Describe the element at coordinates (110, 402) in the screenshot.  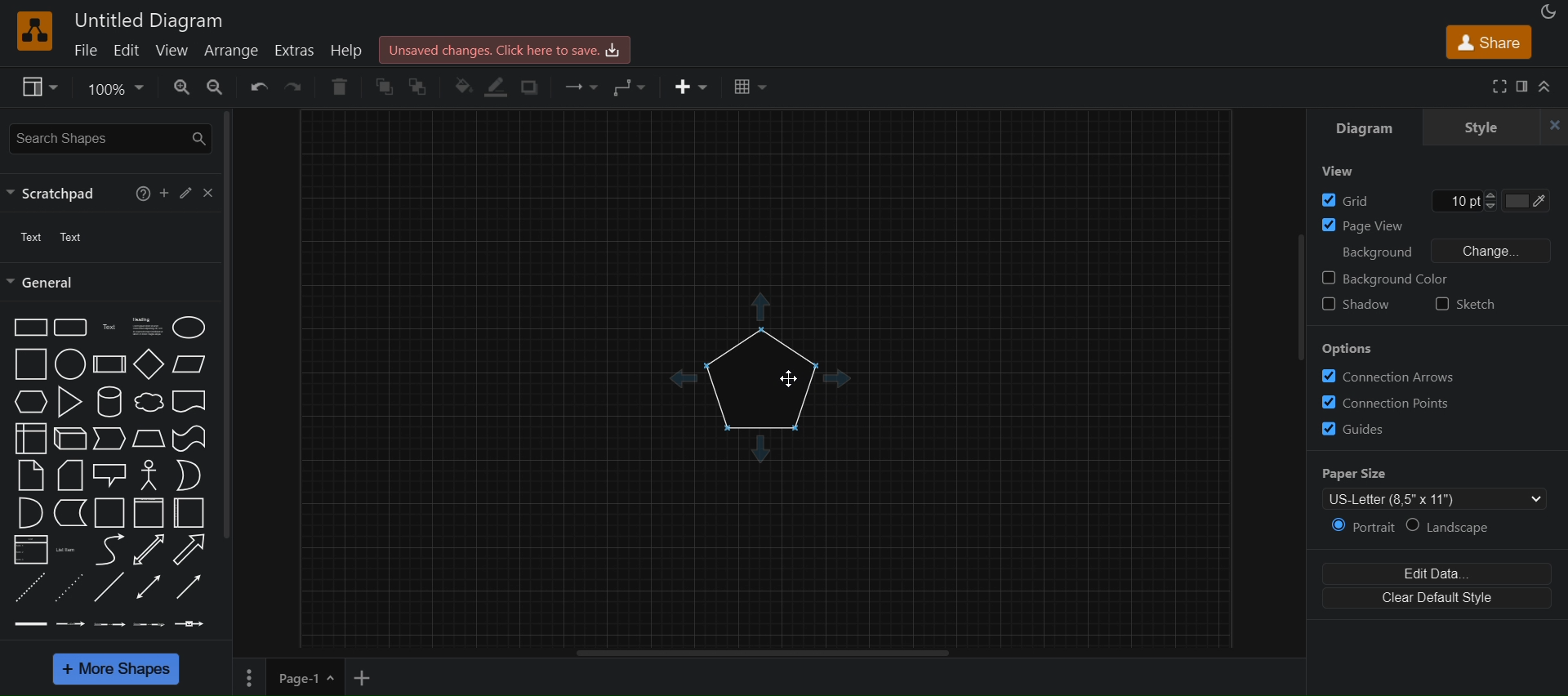
I see `Cylinder` at that location.